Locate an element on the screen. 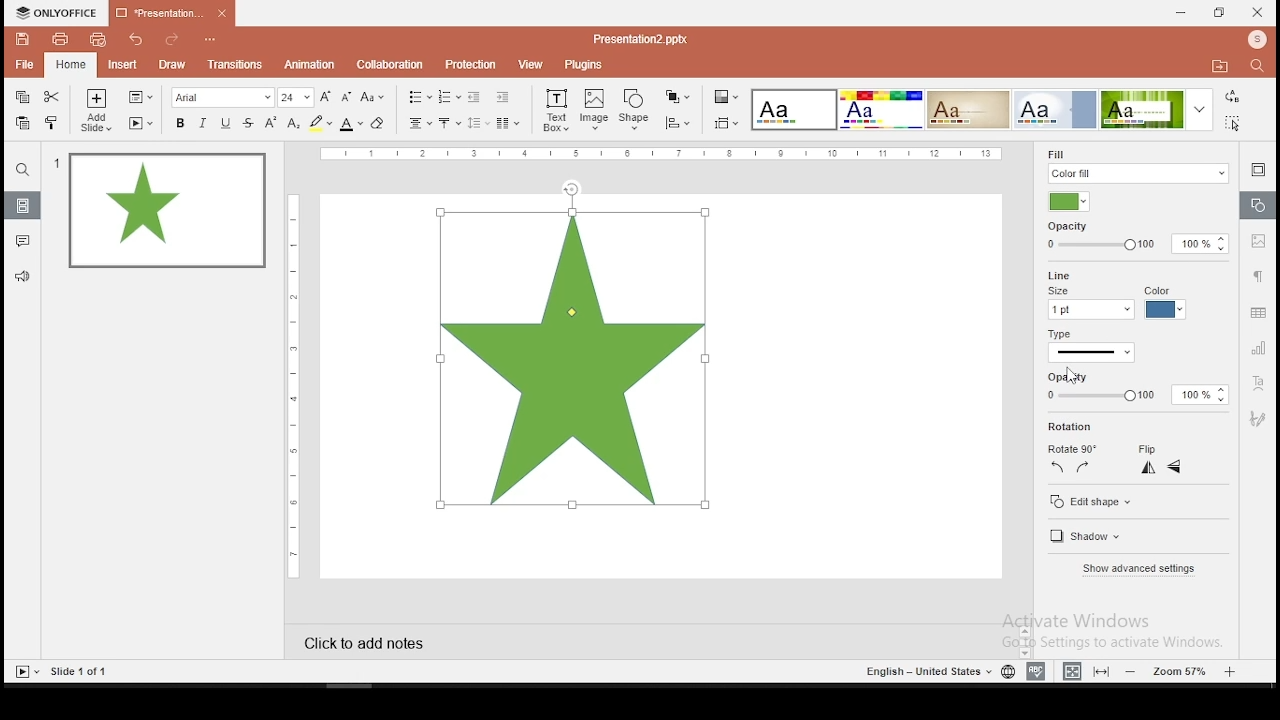 Image resolution: width=1280 pixels, height=720 pixels. increase indent is located at coordinates (503, 96).